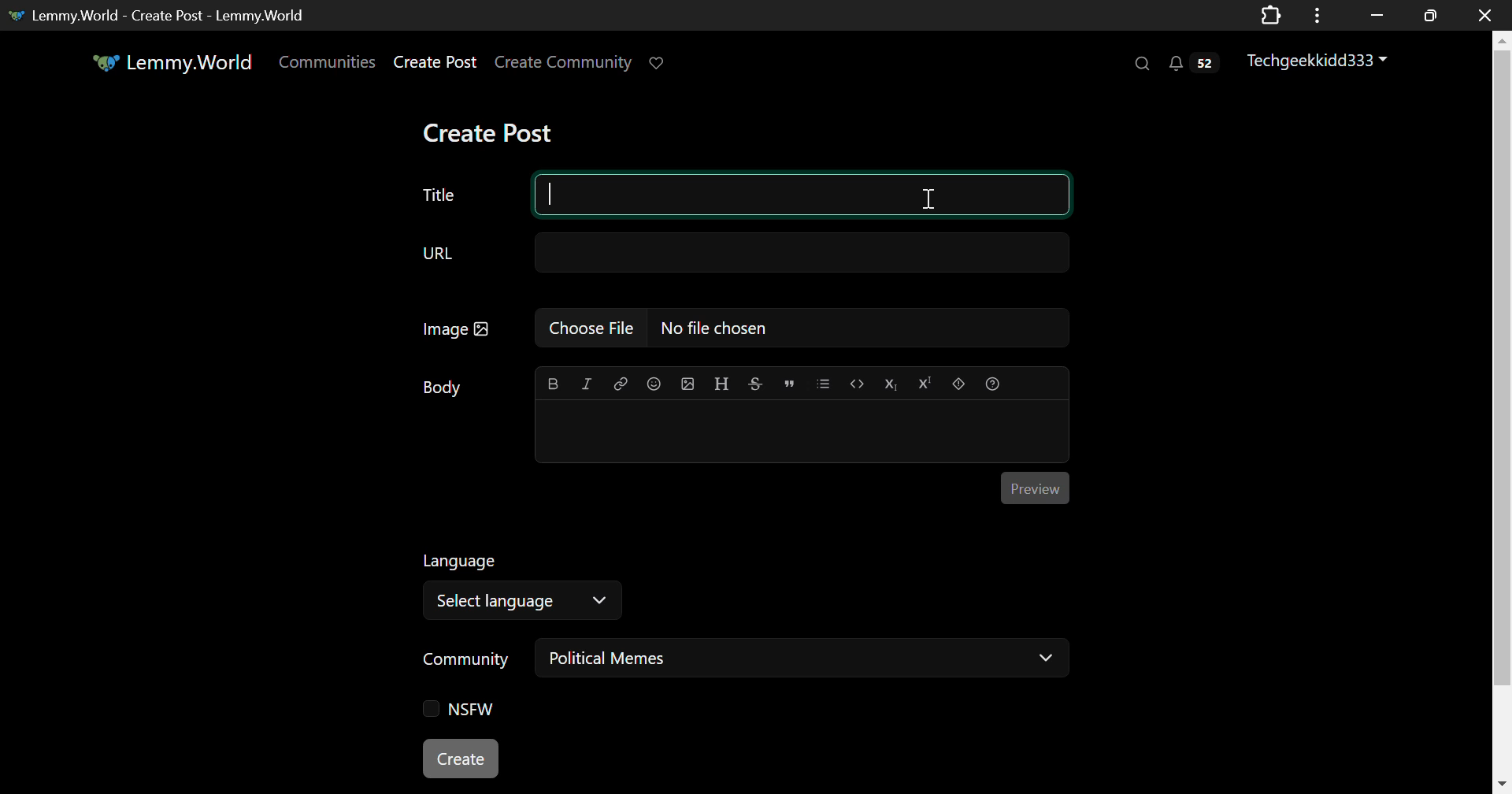  I want to click on Header, so click(722, 384).